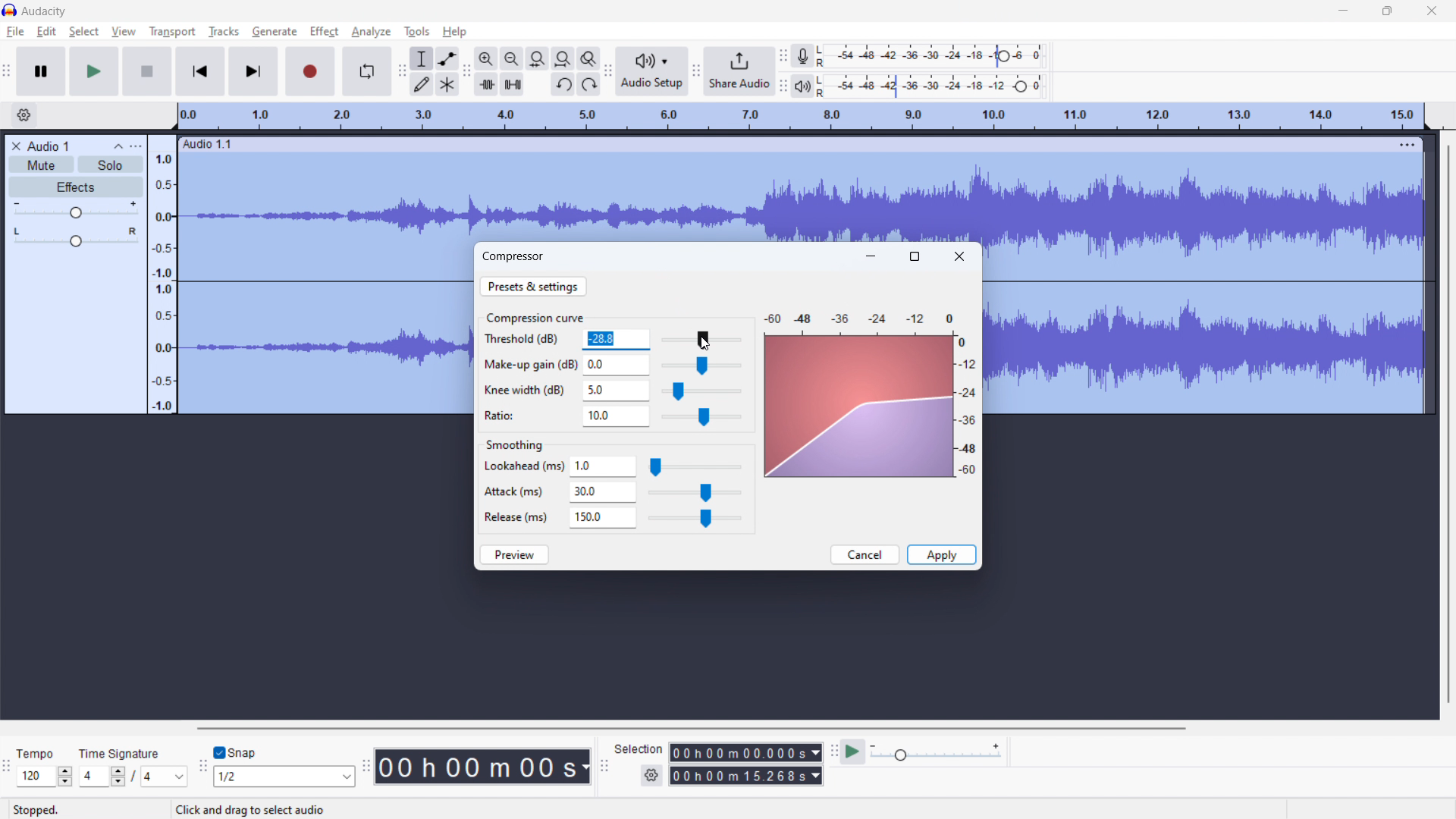 This screenshot has width=1456, height=819. I want to click on share audio, so click(739, 70).